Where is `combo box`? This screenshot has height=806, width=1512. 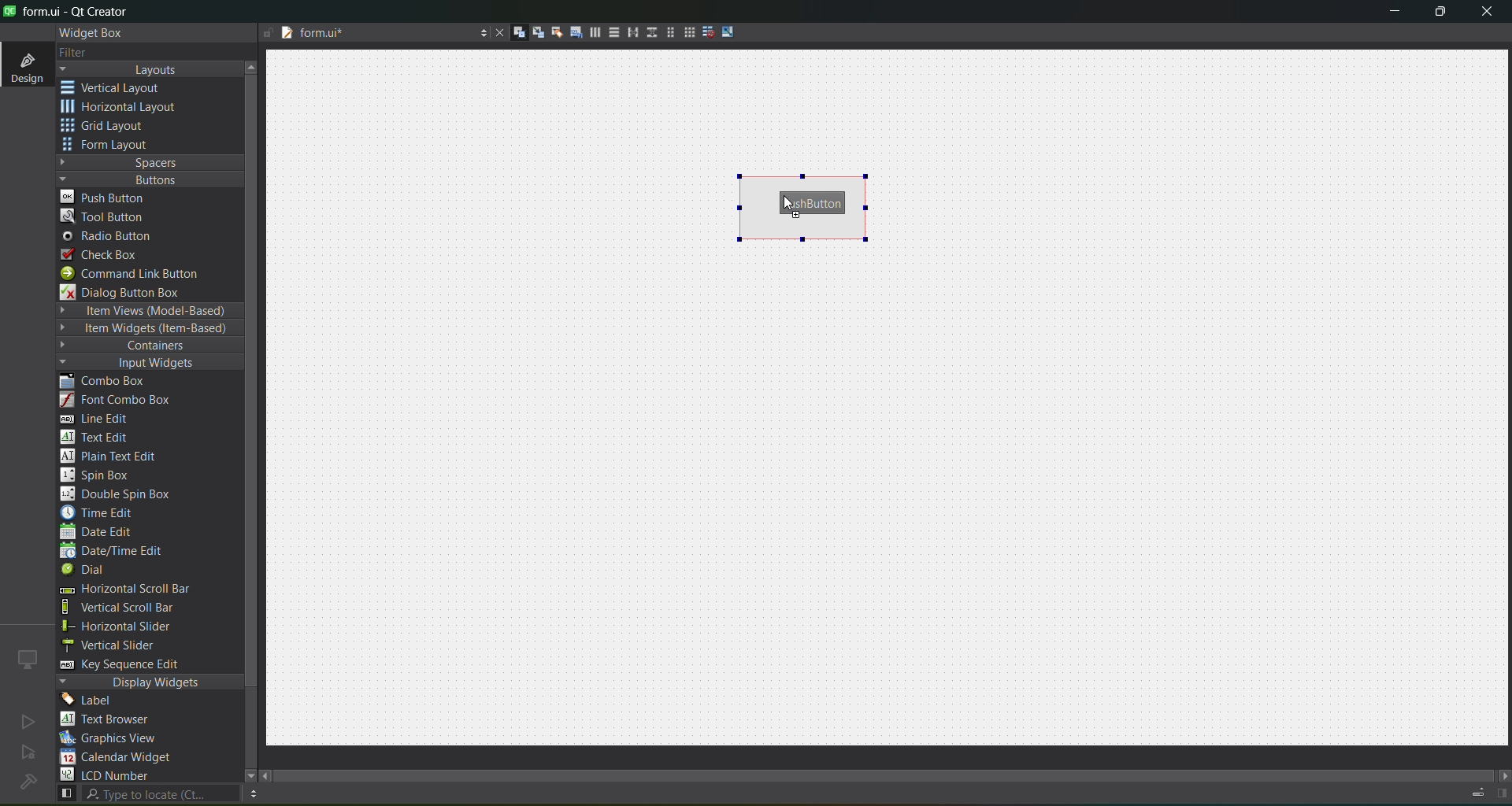
combo box is located at coordinates (114, 382).